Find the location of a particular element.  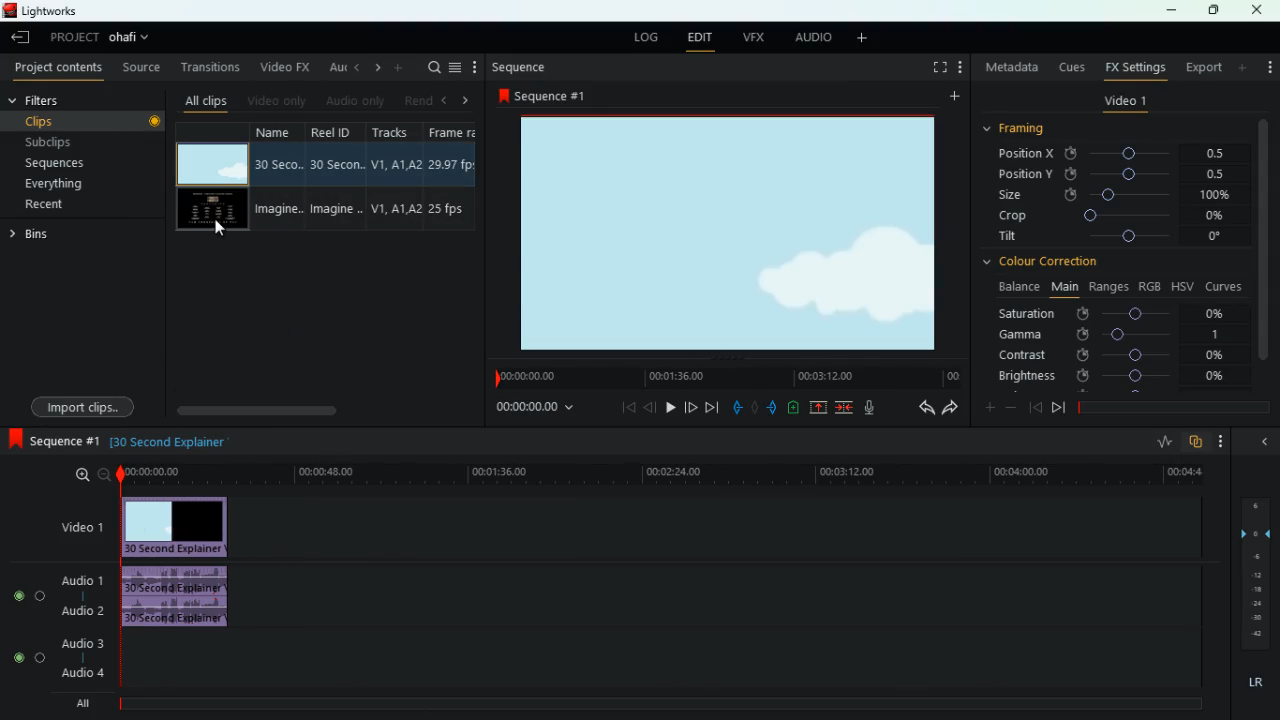

more is located at coordinates (1267, 62).